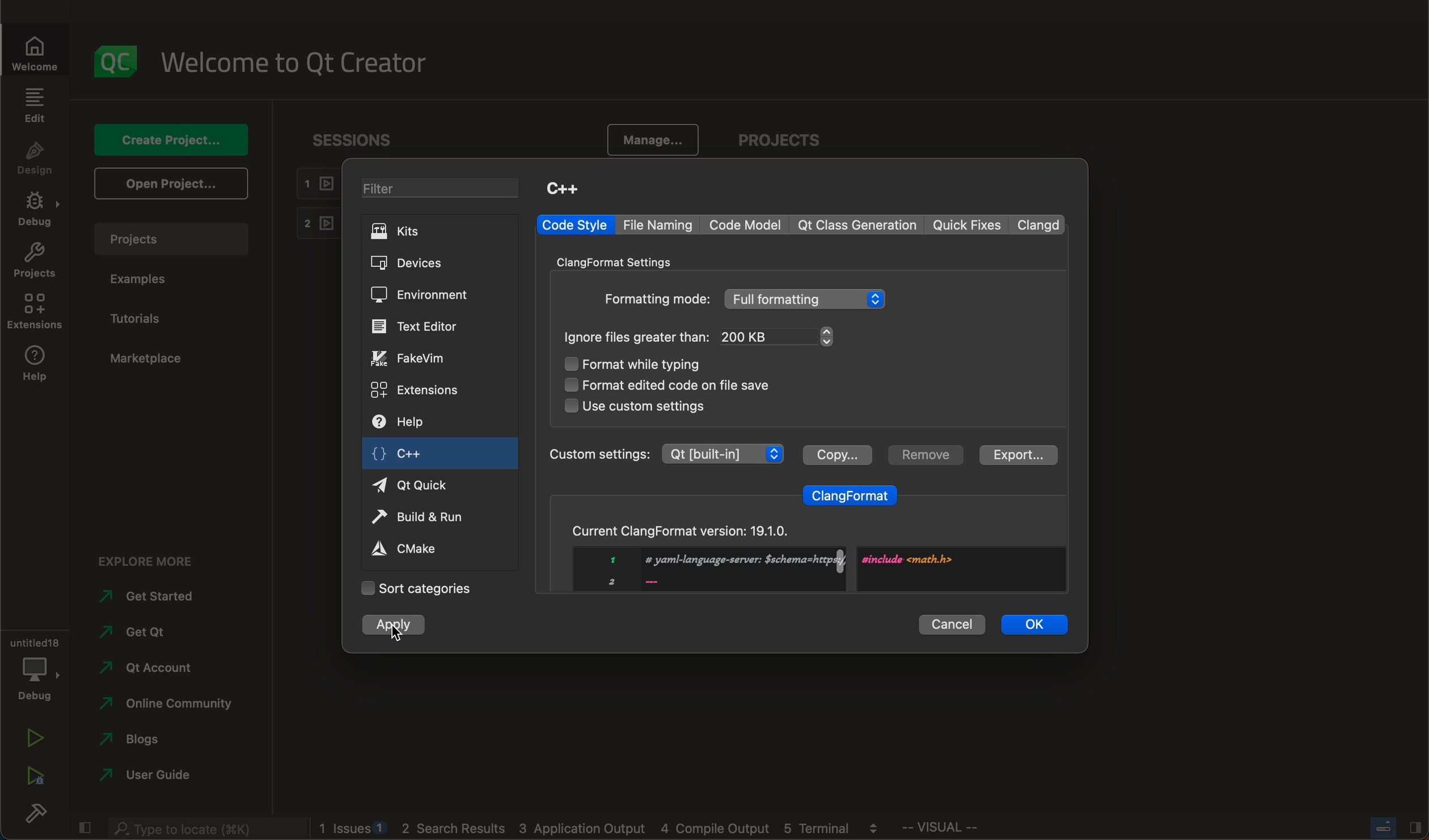 The width and height of the screenshot is (1429, 840). I want to click on qt class, so click(858, 225).